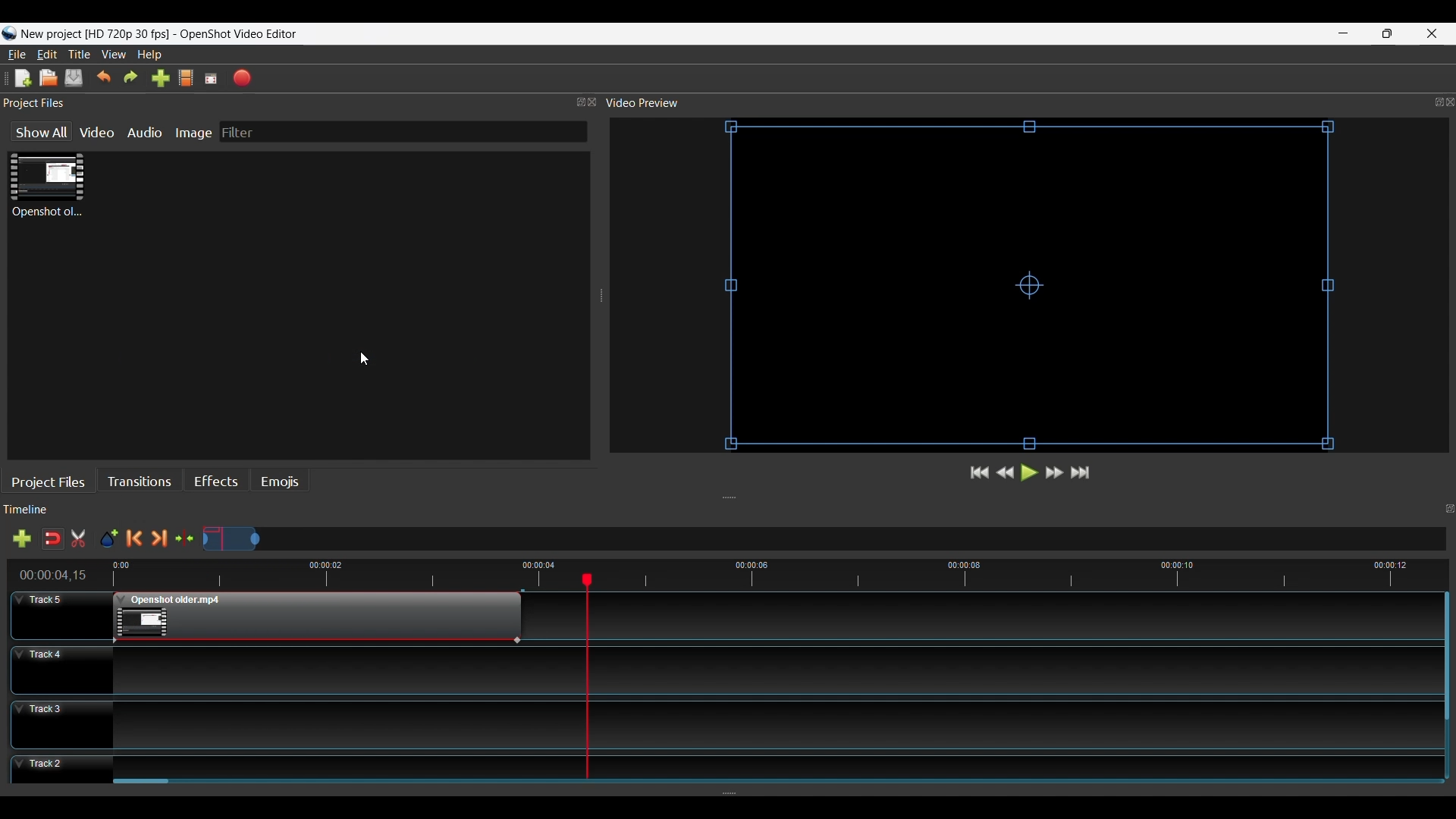 The image size is (1456, 819). Describe the element at coordinates (1029, 103) in the screenshot. I see `Video Preview` at that location.